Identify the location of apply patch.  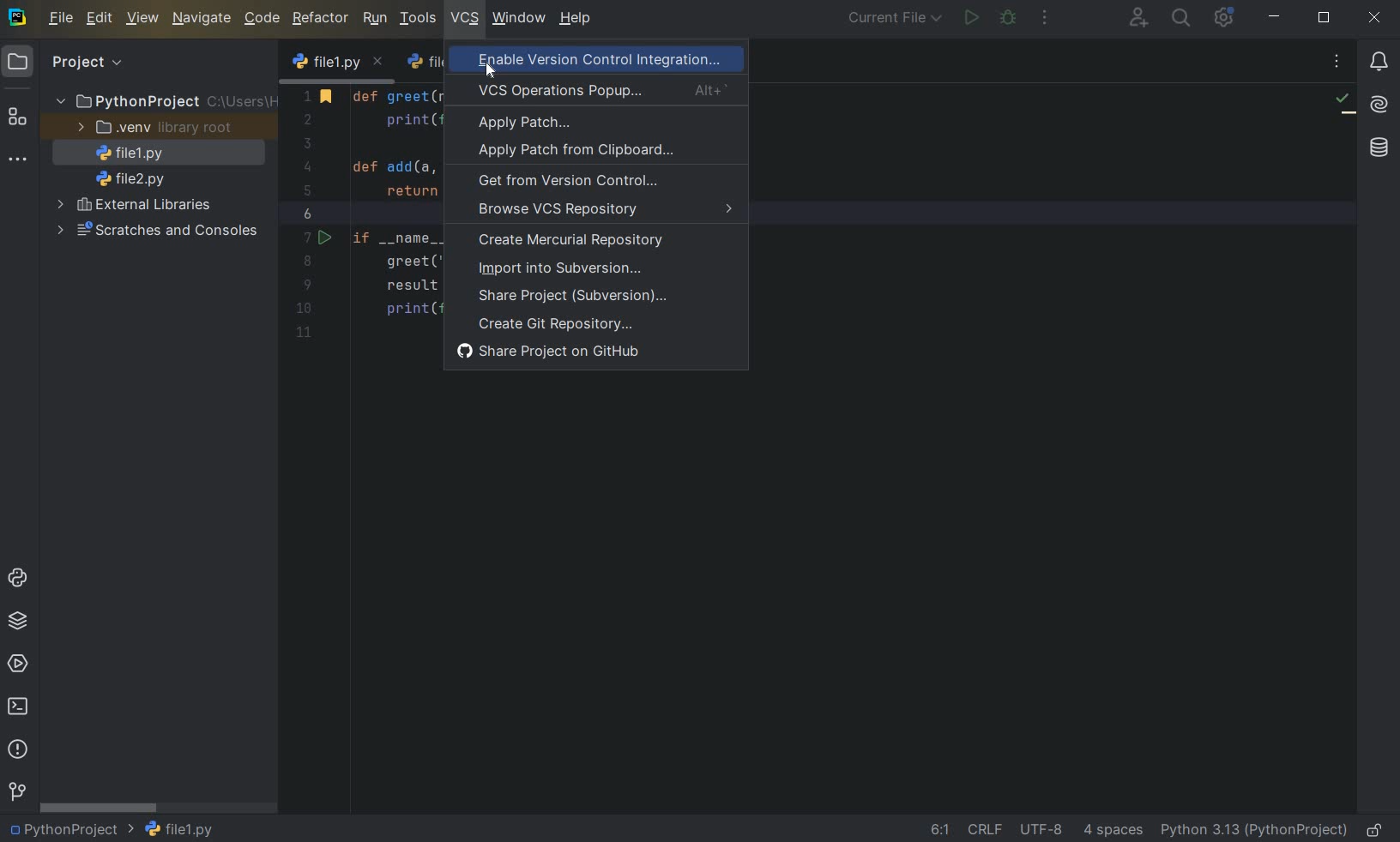
(568, 123).